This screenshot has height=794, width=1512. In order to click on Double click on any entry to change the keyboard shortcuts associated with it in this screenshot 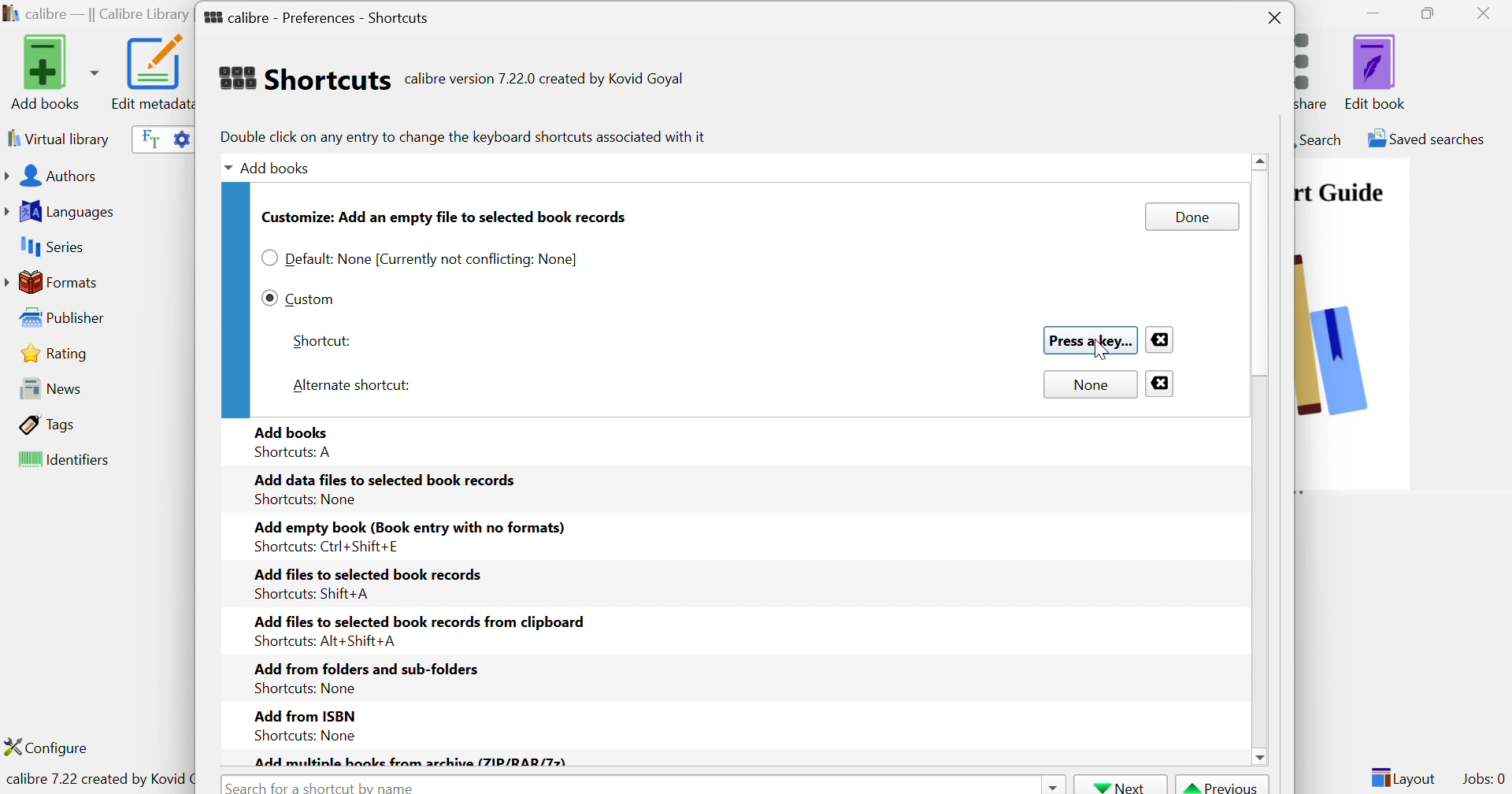, I will do `click(461, 136)`.